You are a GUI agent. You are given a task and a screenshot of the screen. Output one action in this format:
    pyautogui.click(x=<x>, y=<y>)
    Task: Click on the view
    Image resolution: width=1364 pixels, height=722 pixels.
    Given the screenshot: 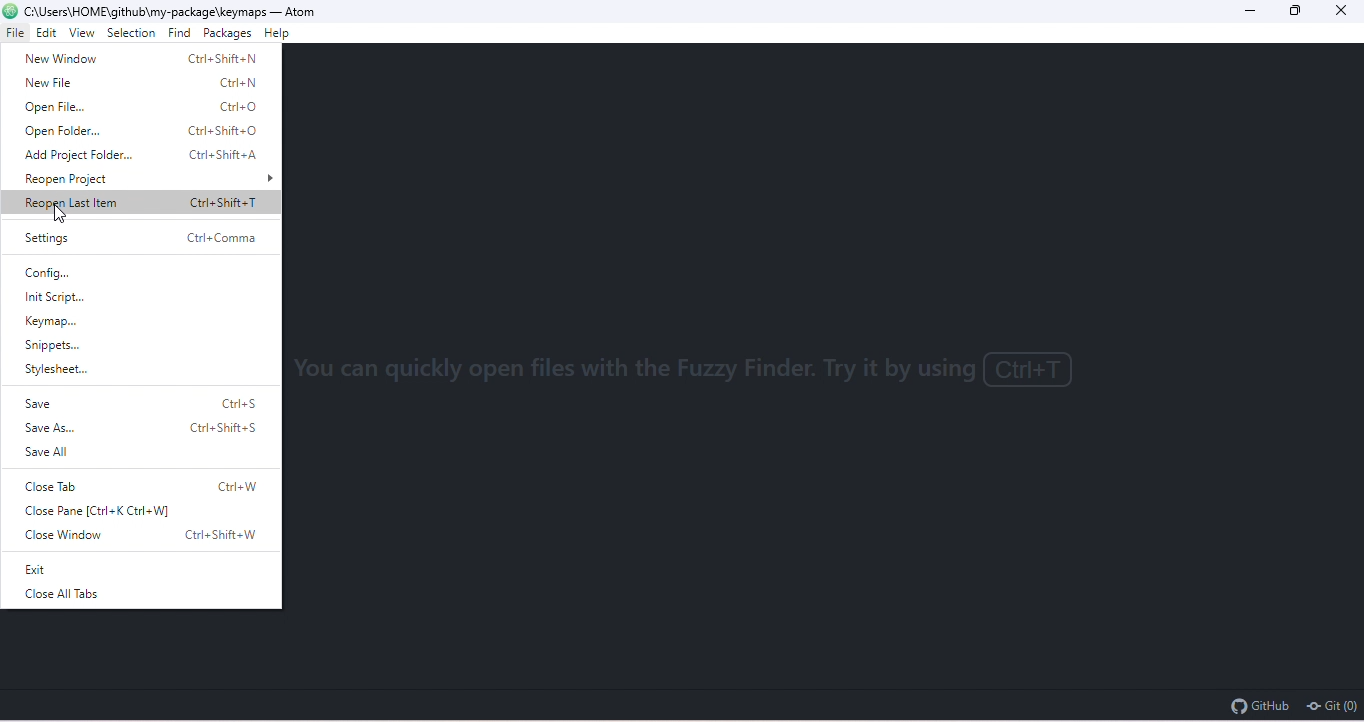 What is the action you would take?
    pyautogui.click(x=87, y=31)
    